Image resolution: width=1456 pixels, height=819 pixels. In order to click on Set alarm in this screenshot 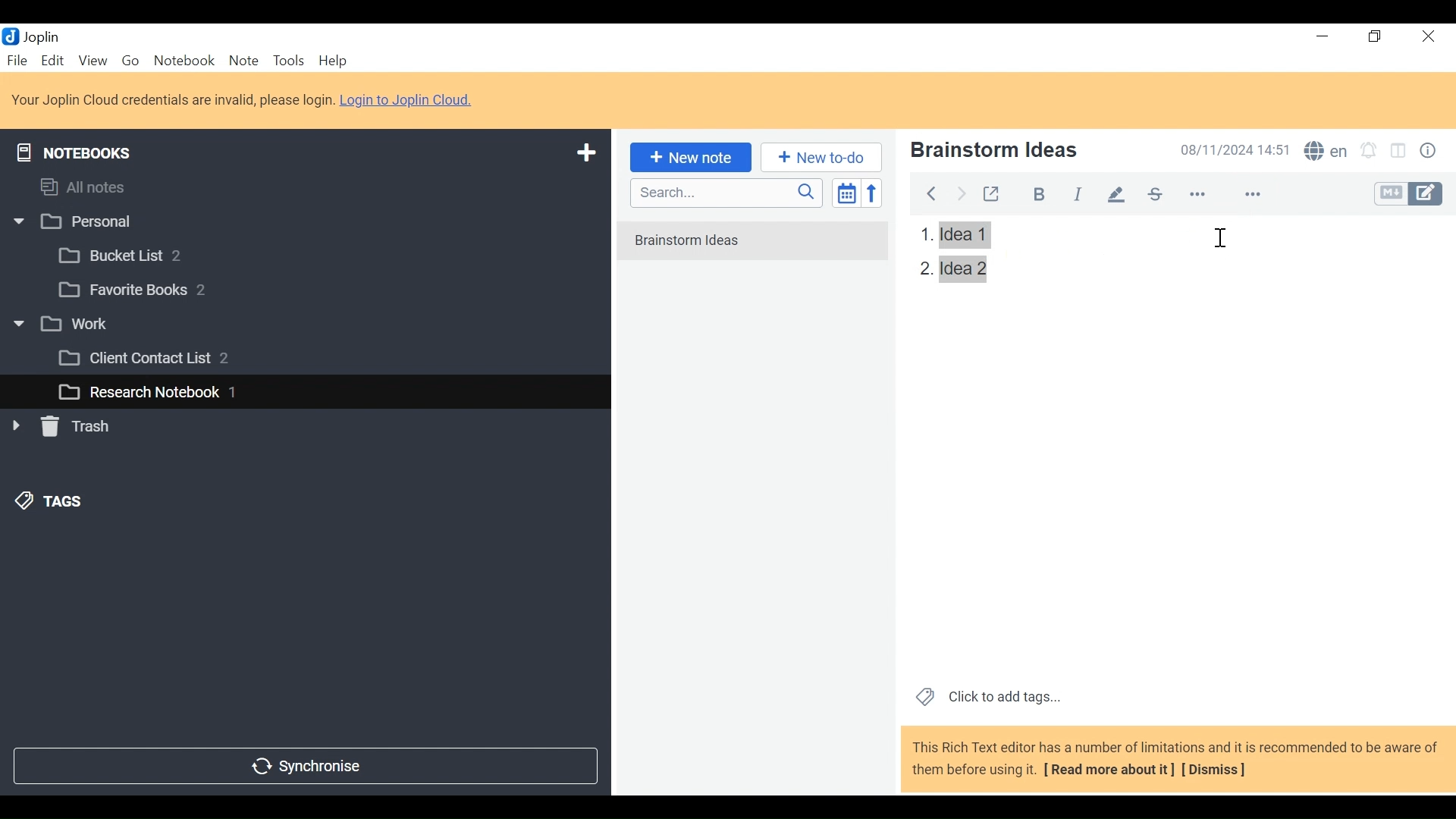, I will do `click(1369, 152)`.